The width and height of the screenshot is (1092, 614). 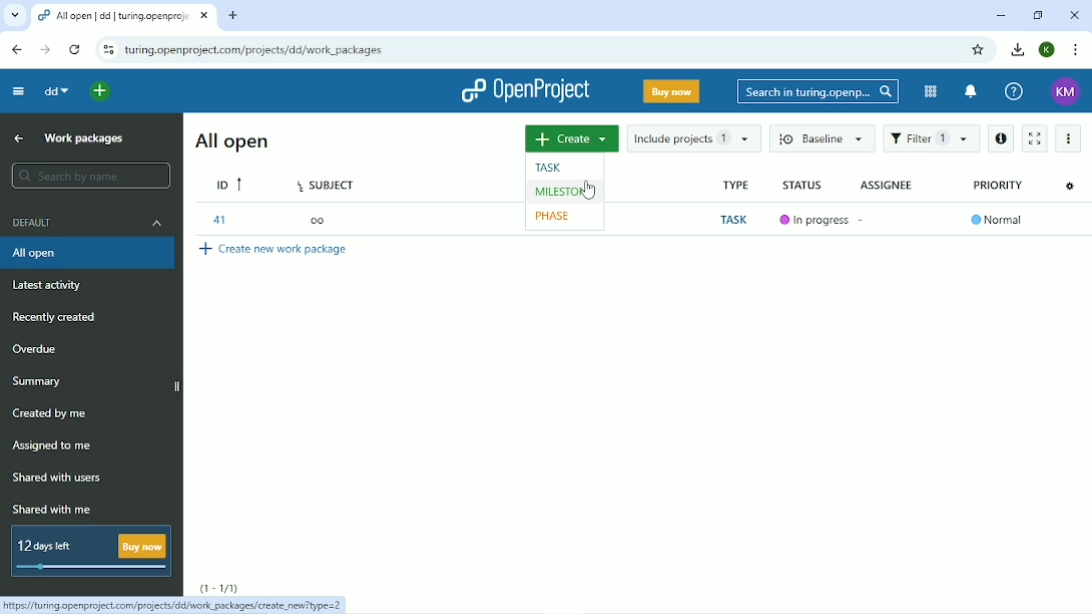 What do you see at coordinates (1000, 139) in the screenshot?
I see `Open details view` at bounding box center [1000, 139].